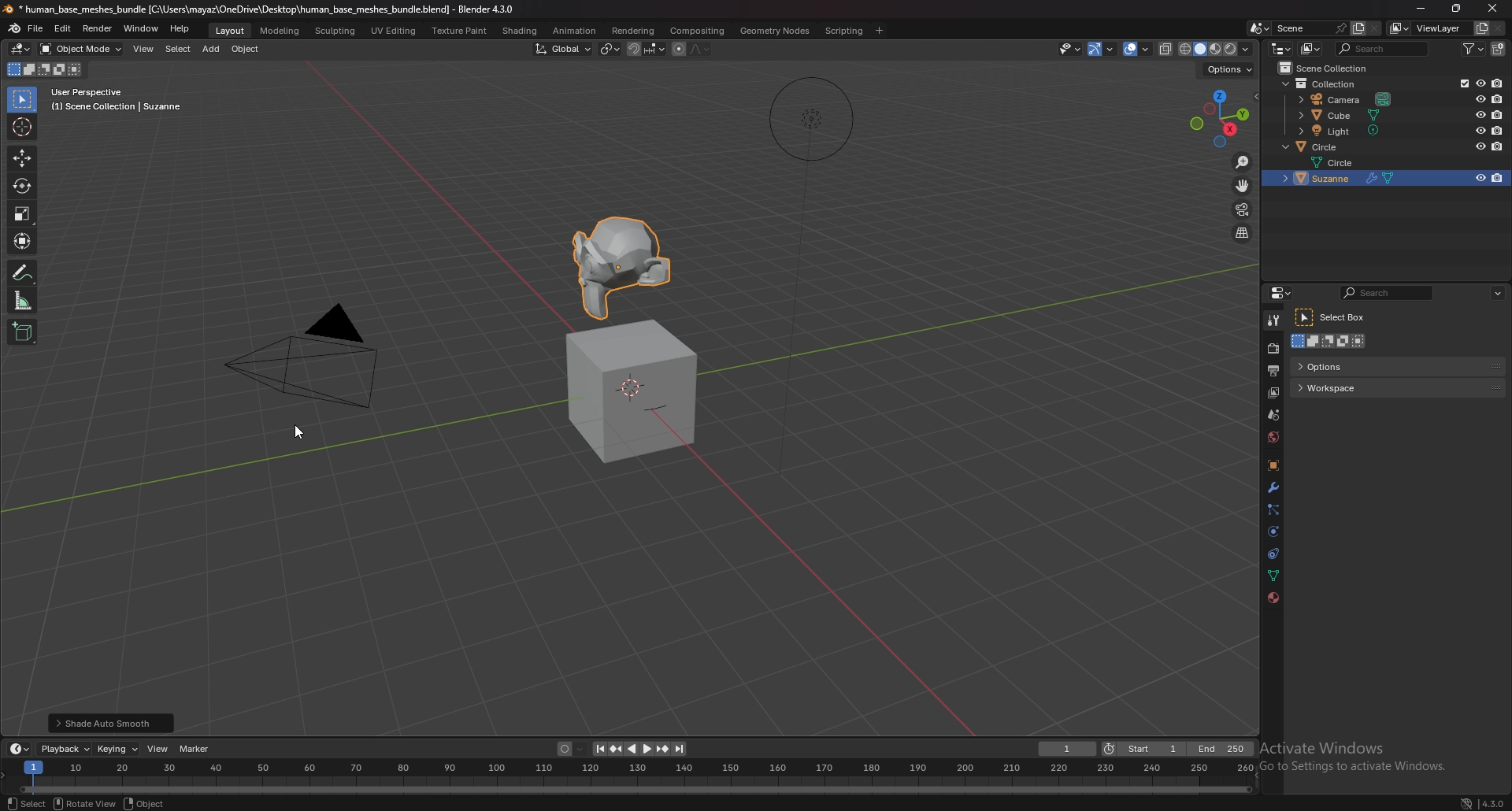 The width and height of the screenshot is (1512, 811). What do you see at coordinates (1273, 488) in the screenshot?
I see `modifier` at bounding box center [1273, 488].